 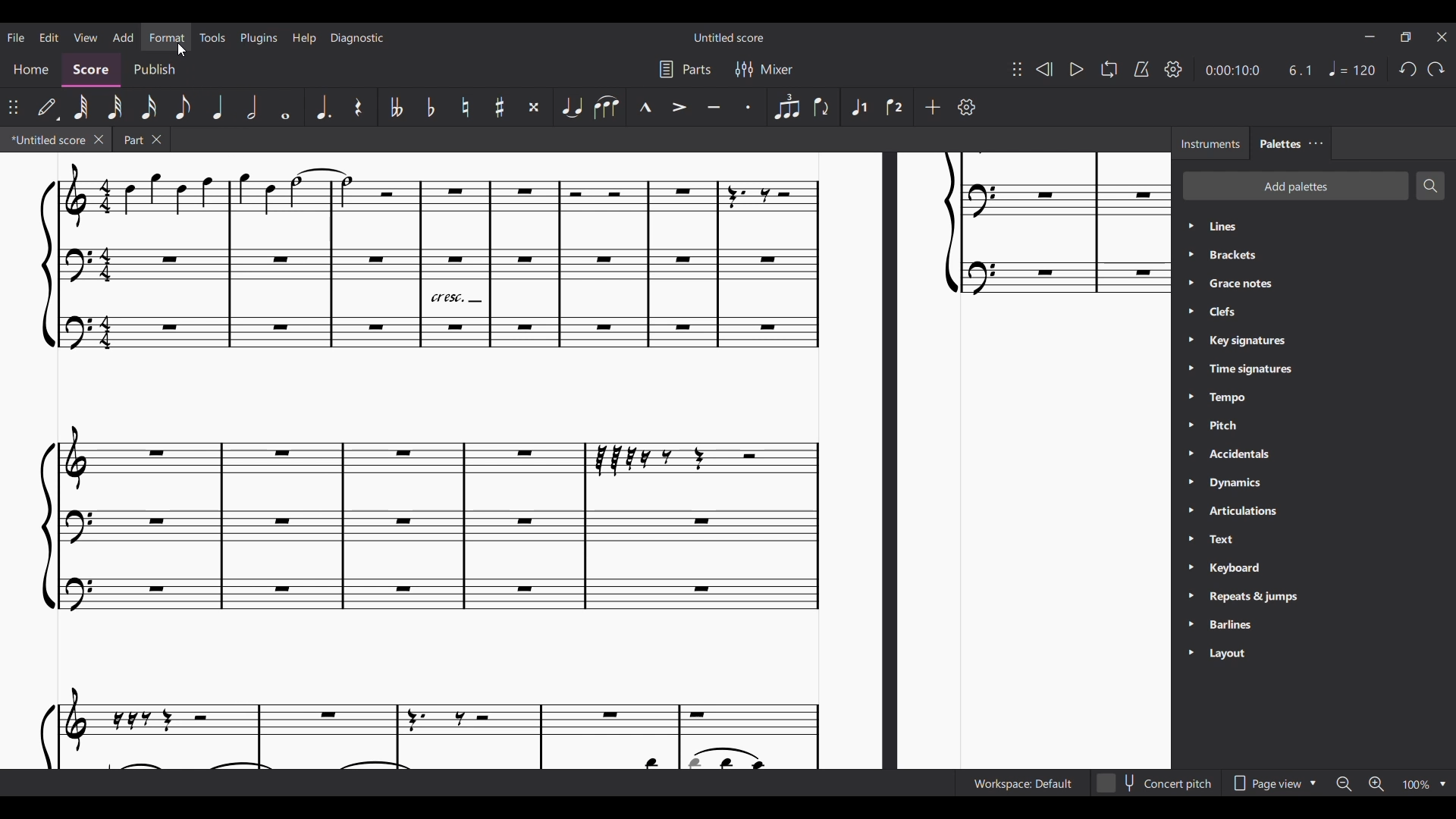 I want to click on Close/Undock Palette tab, so click(x=1316, y=143).